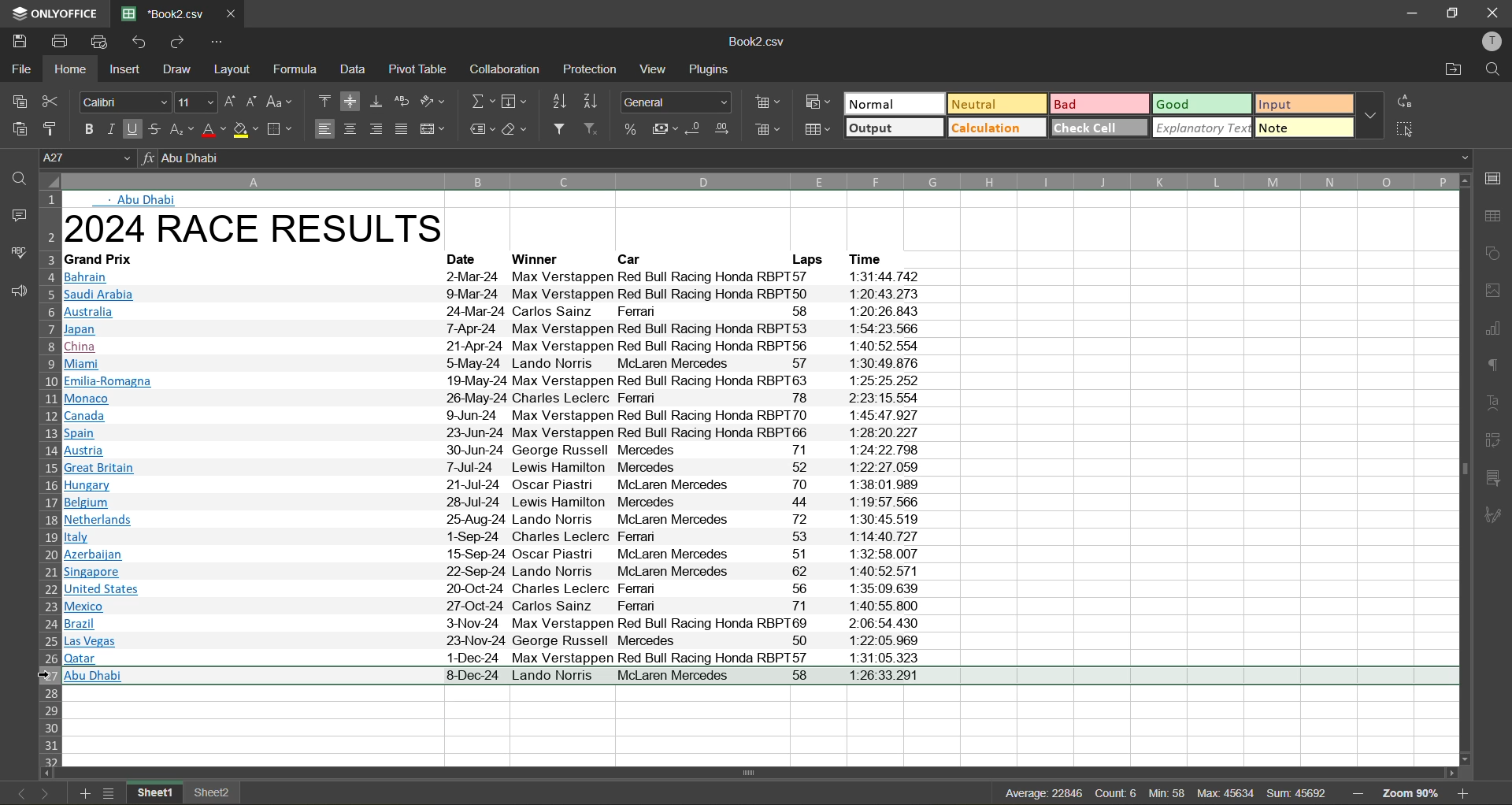  I want to click on file name, so click(761, 43).